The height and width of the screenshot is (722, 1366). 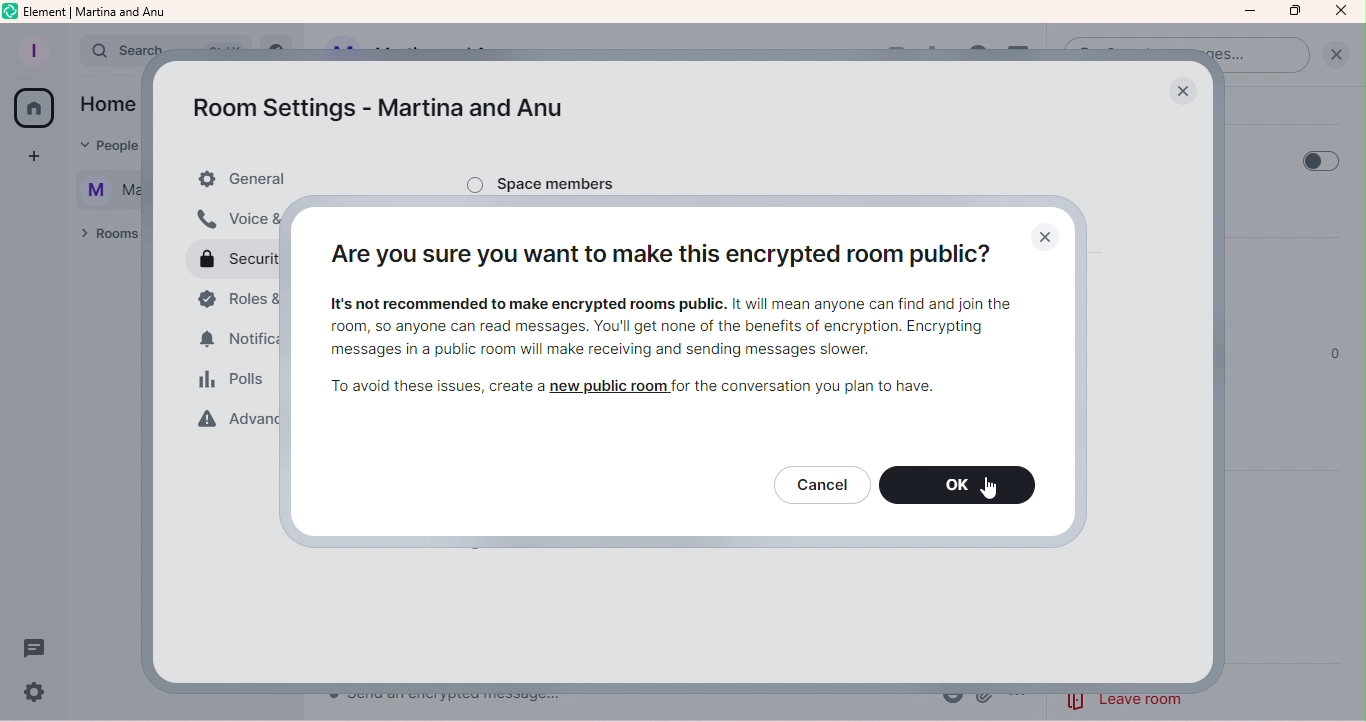 What do you see at coordinates (663, 255) in the screenshot?
I see `Are you sure you want to make this encrypted room public?` at bounding box center [663, 255].